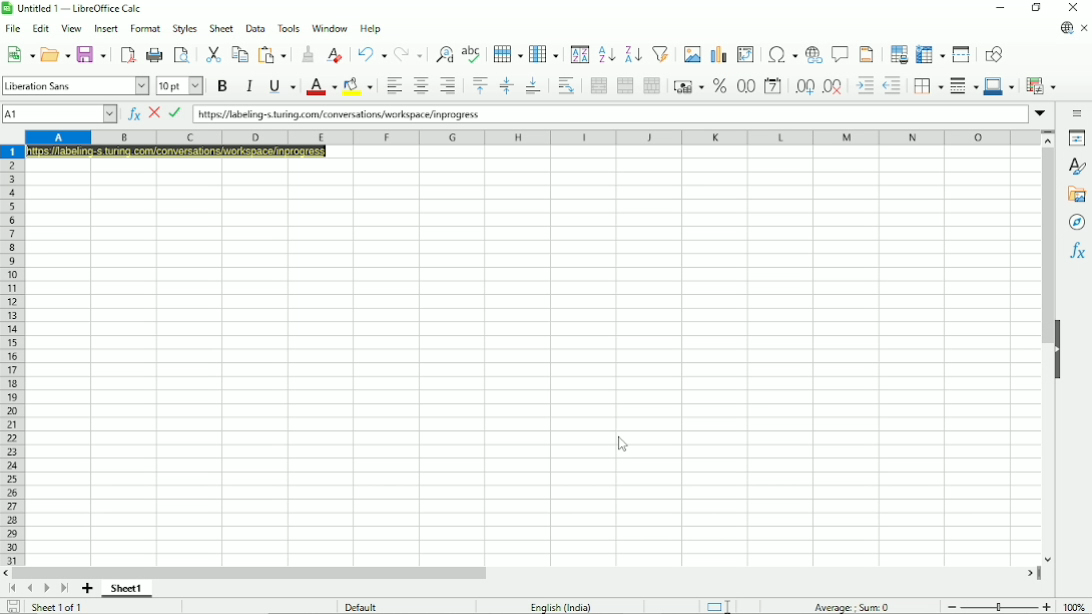 Image resolution: width=1092 pixels, height=614 pixels. Describe the element at coordinates (274, 54) in the screenshot. I see `Paste` at that location.